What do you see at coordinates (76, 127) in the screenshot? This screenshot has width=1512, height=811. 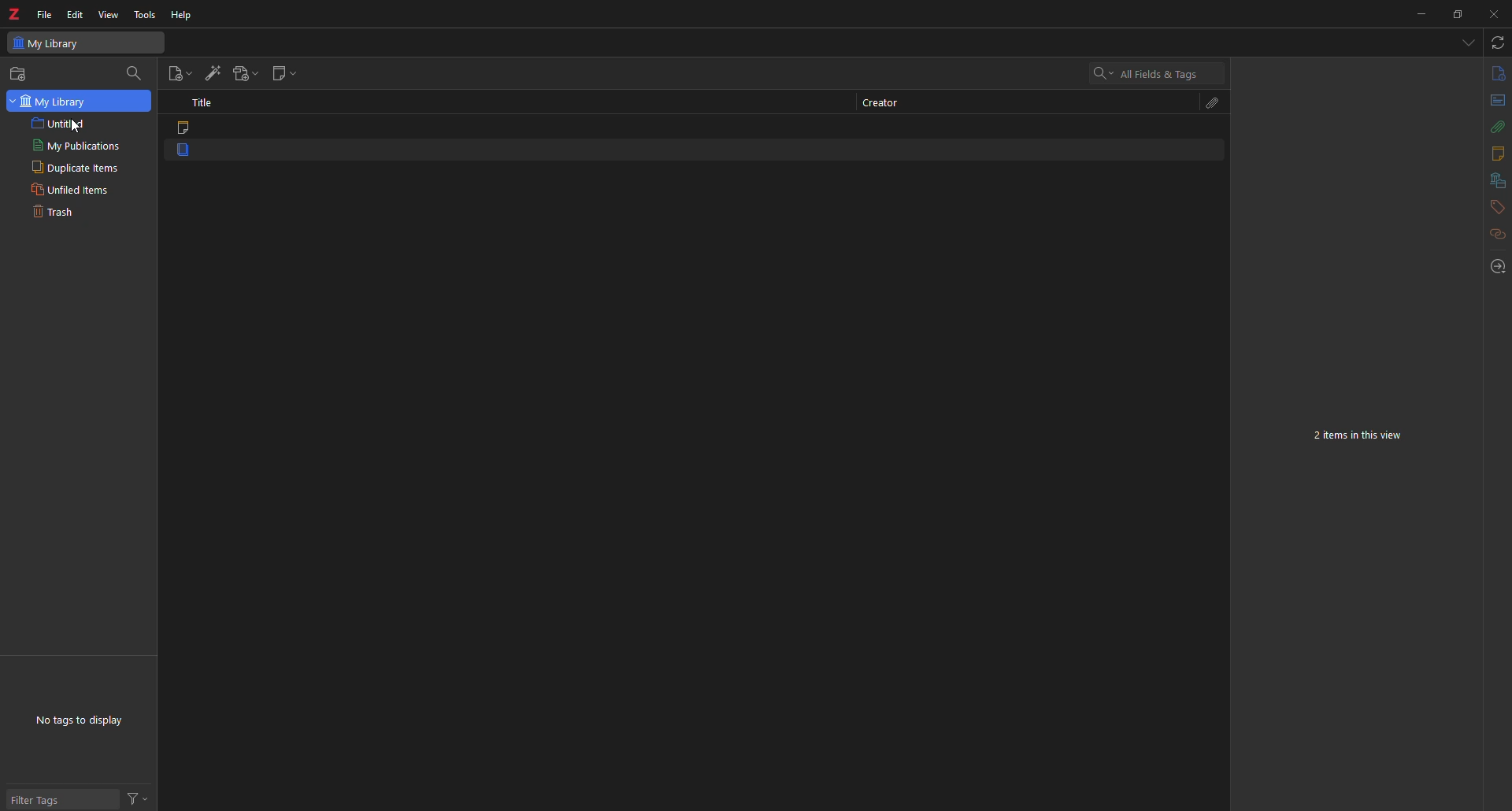 I see `Cursor` at bounding box center [76, 127].